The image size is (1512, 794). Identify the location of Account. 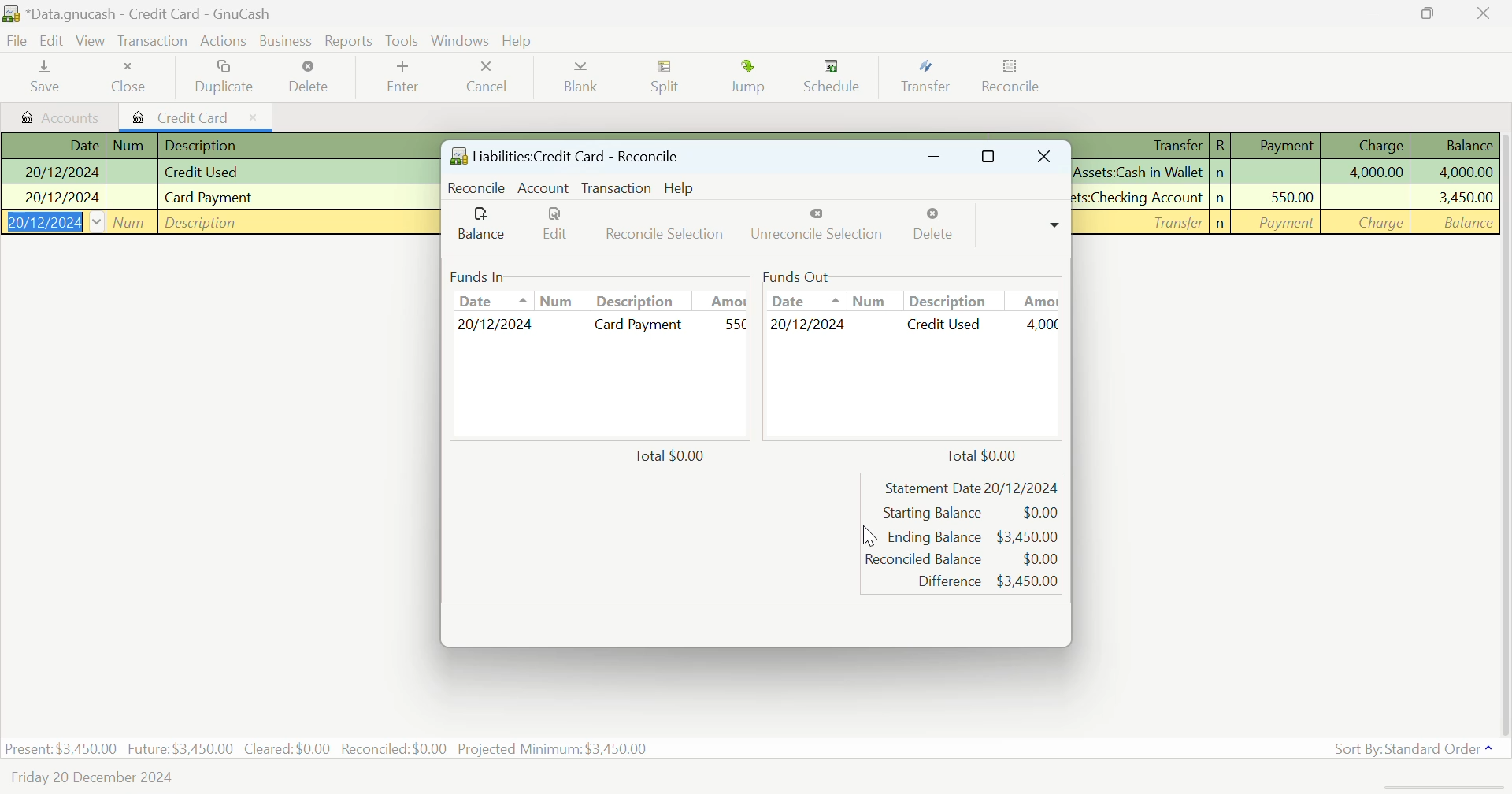
(543, 189).